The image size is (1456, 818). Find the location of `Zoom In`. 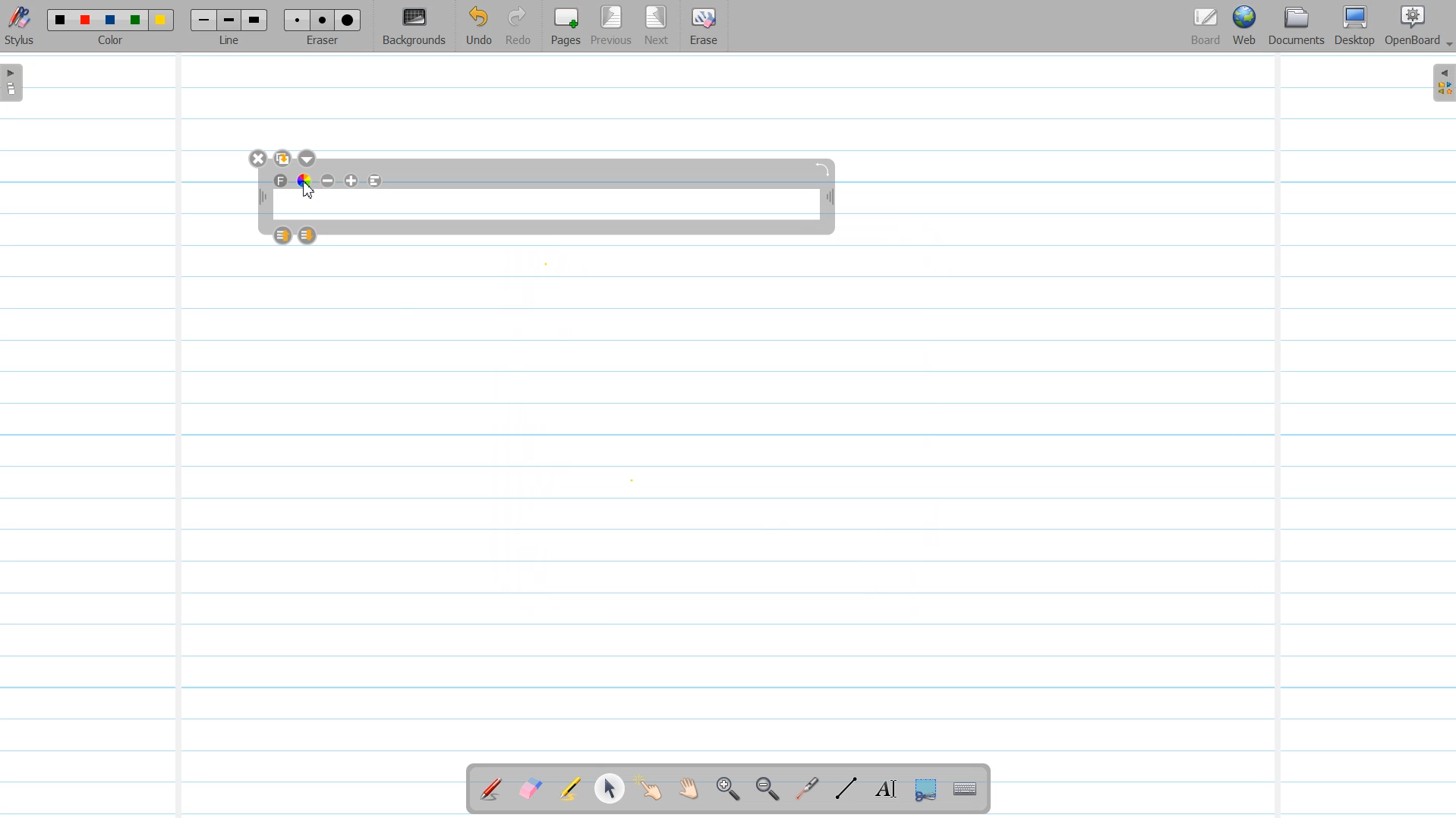

Zoom In is located at coordinates (727, 790).